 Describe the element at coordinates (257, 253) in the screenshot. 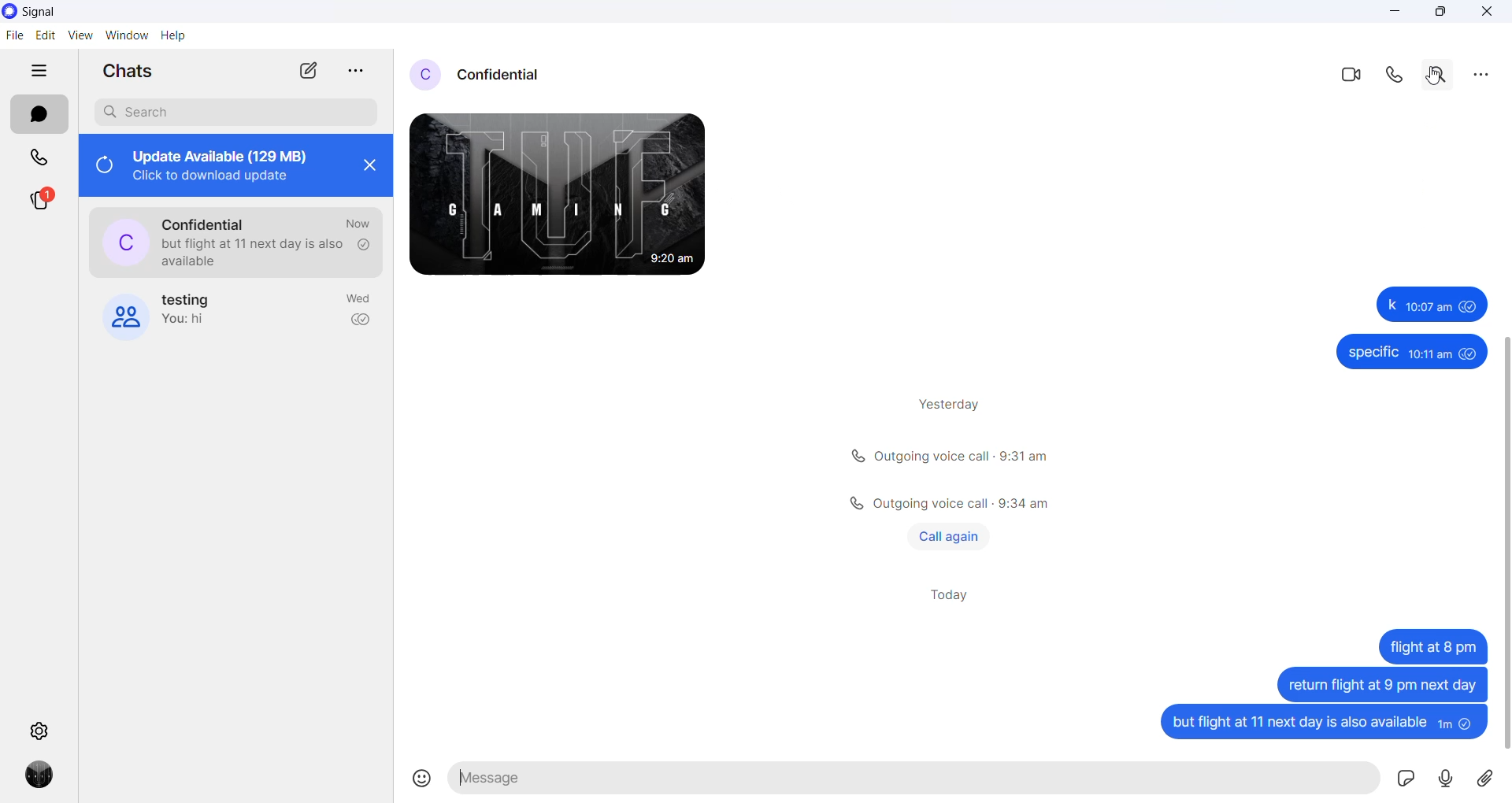

I see `last message` at that location.